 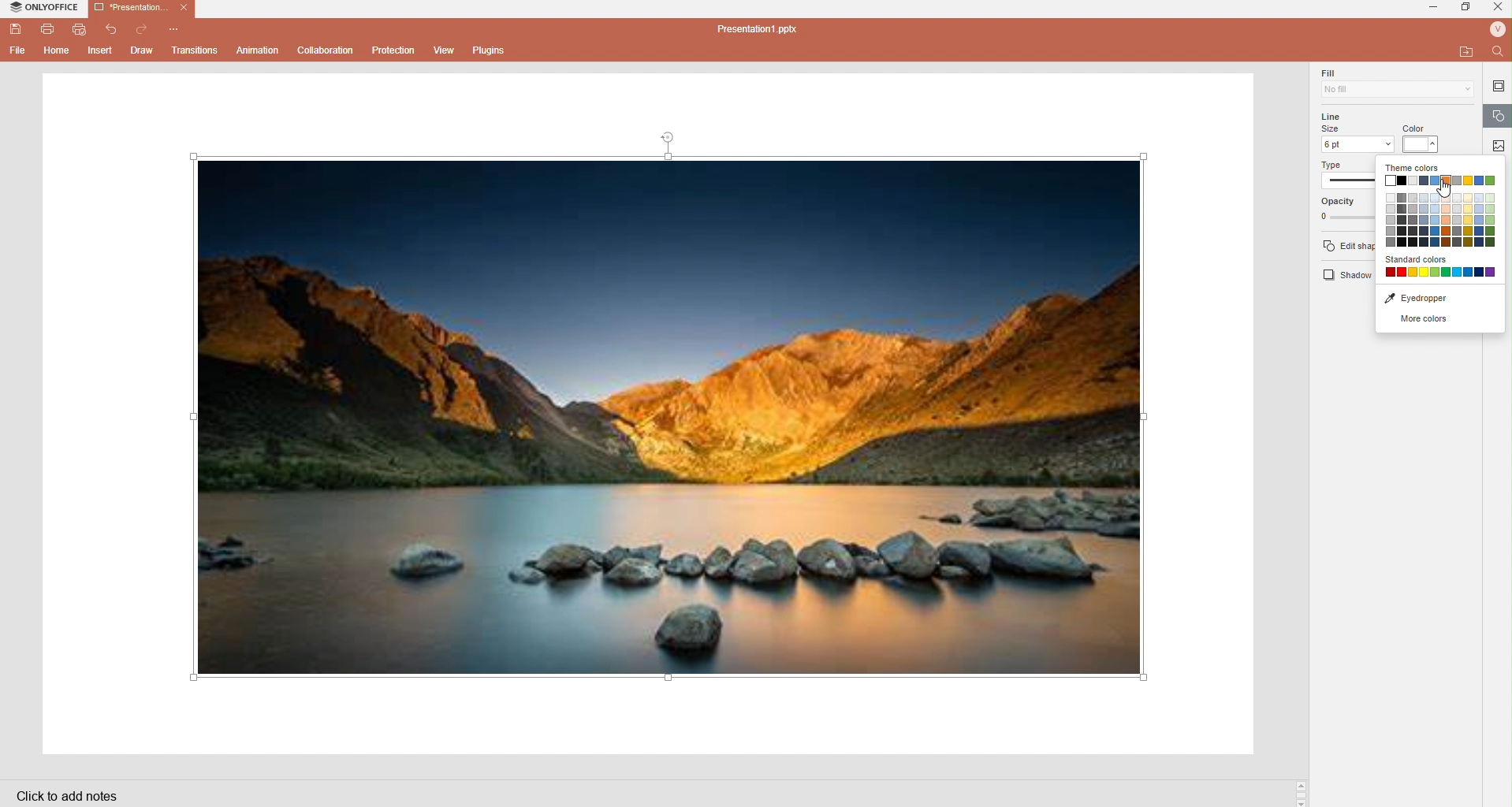 I want to click on View, so click(x=447, y=50).